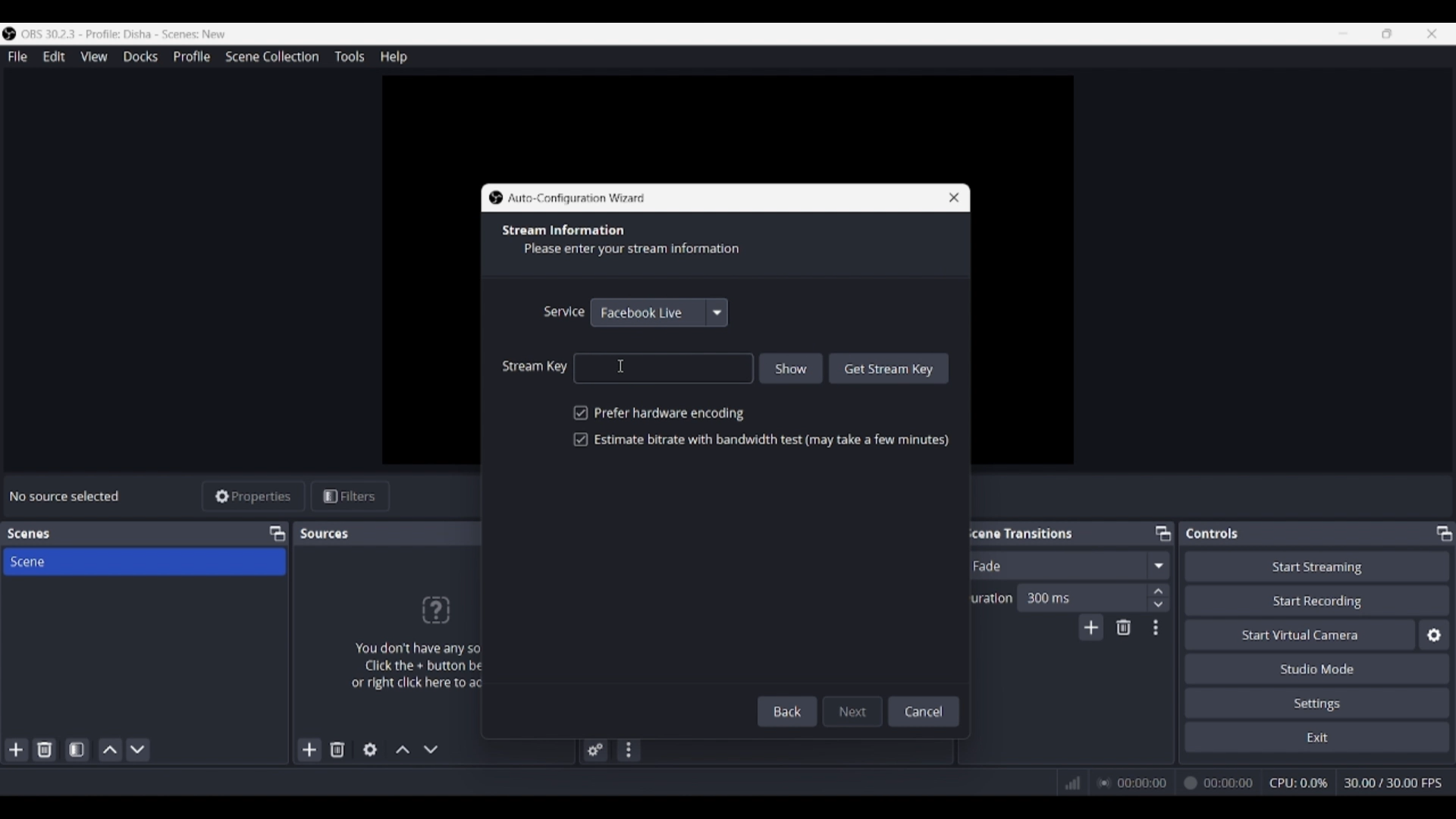 This screenshot has height=819, width=1456. I want to click on Add source, so click(310, 749).